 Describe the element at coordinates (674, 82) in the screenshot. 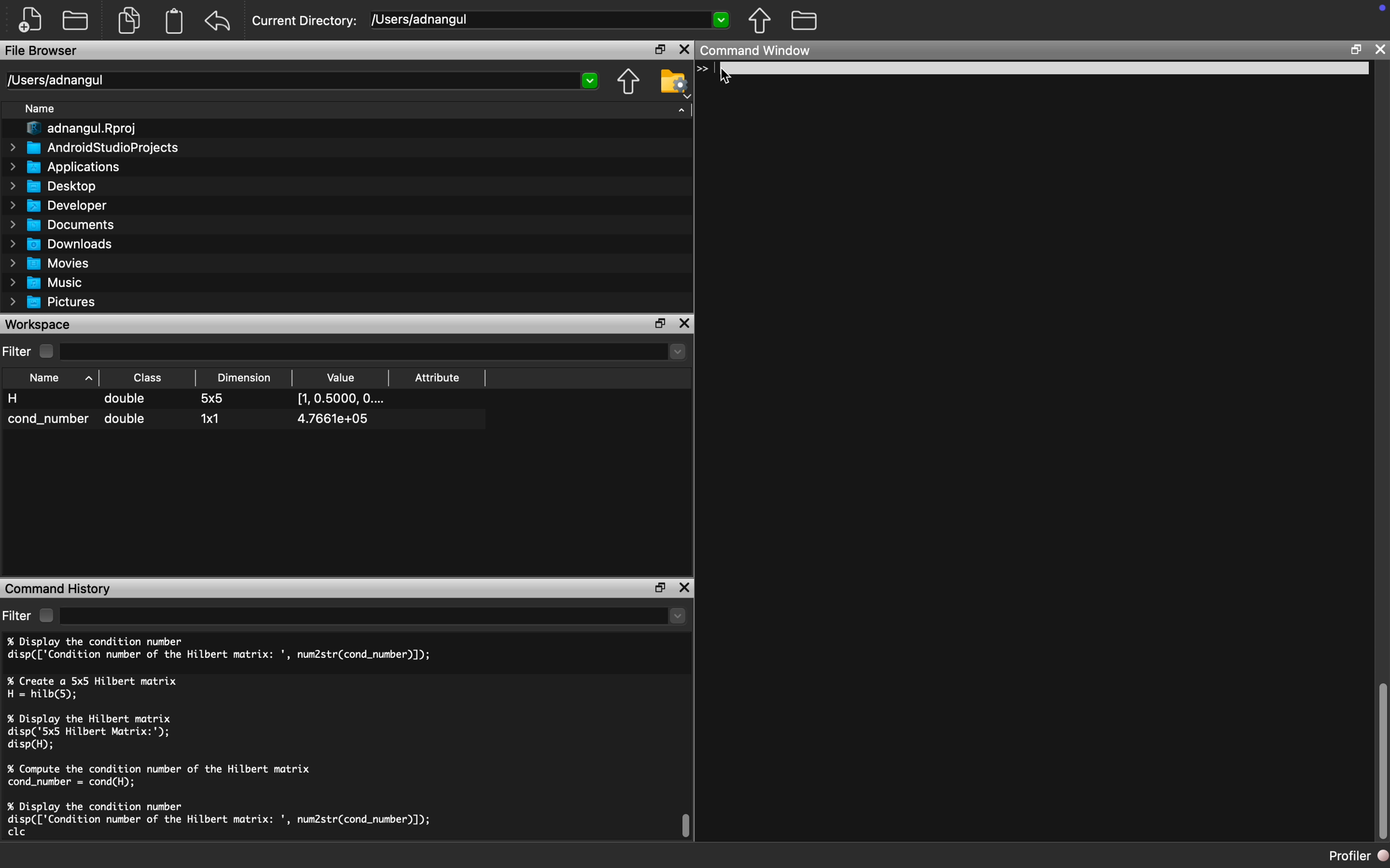

I see `Folder Setting` at that location.